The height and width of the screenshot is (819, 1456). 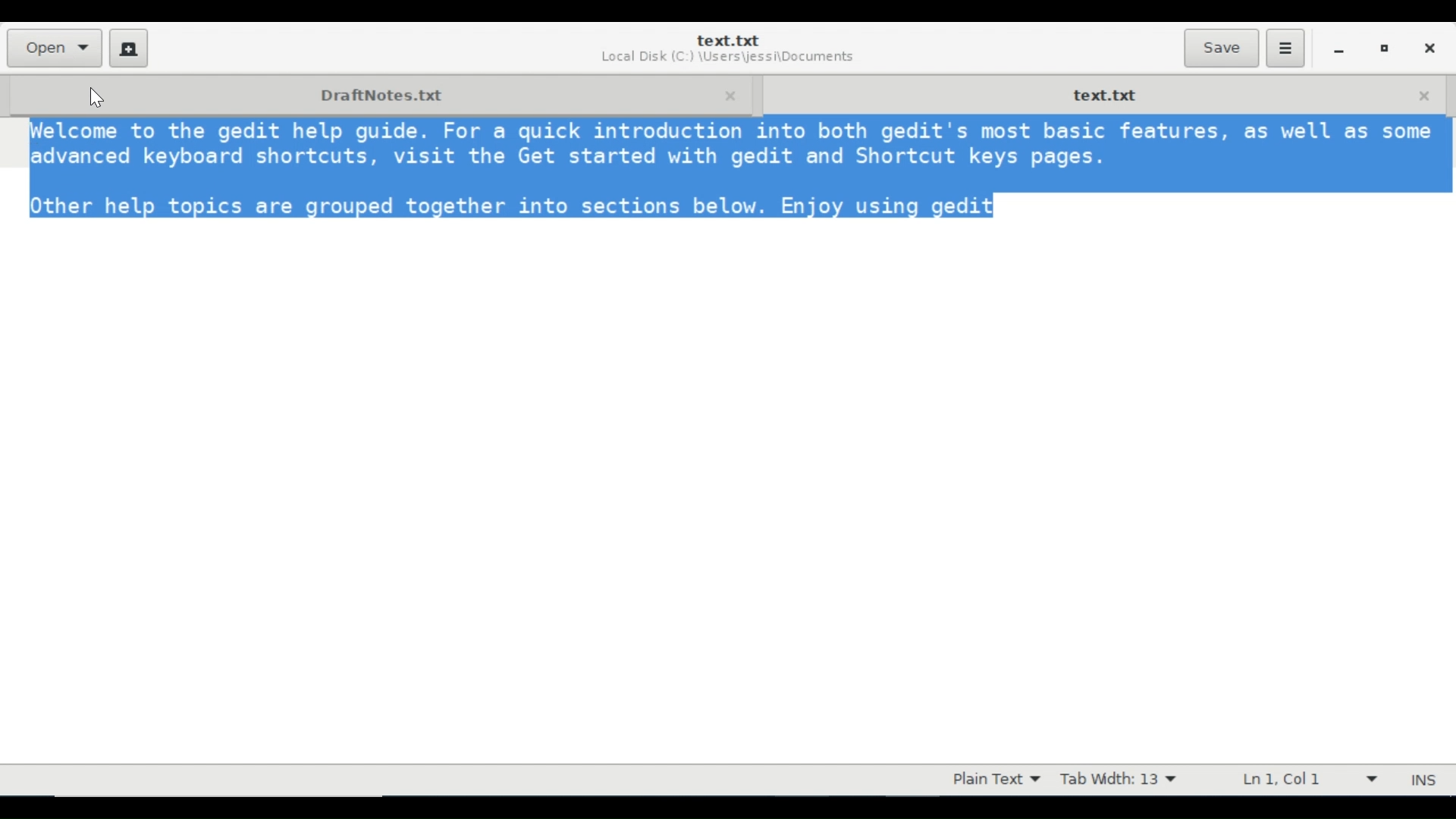 What do you see at coordinates (993, 780) in the screenshot?
I see `File type` at bounding box center [993, 780].